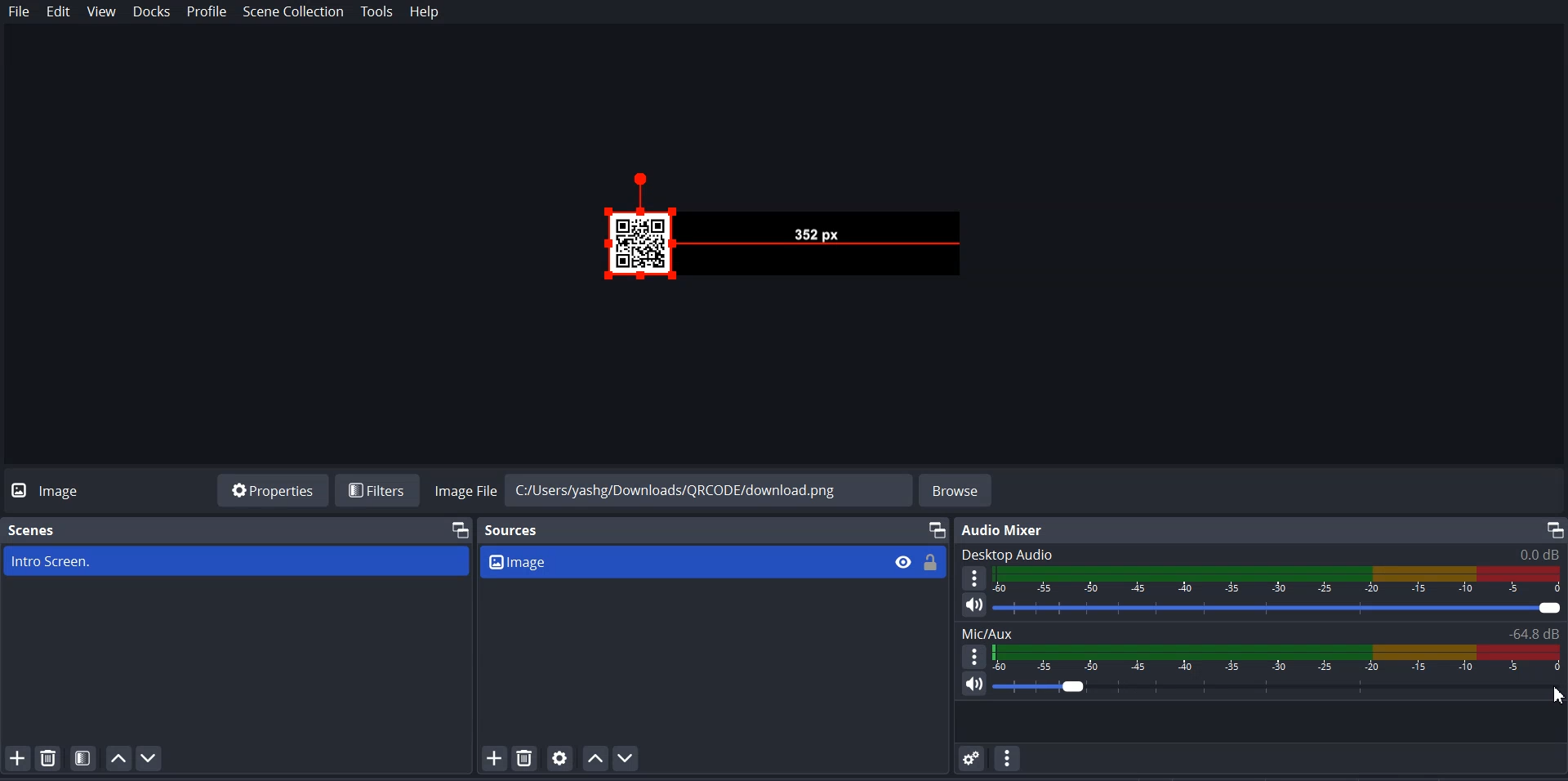 This screenshot has height=781, width=1568. What do you see at coordinates (1558, 694) in the screenshot?
I see `Cursor` at bounding box center [1558, 694].